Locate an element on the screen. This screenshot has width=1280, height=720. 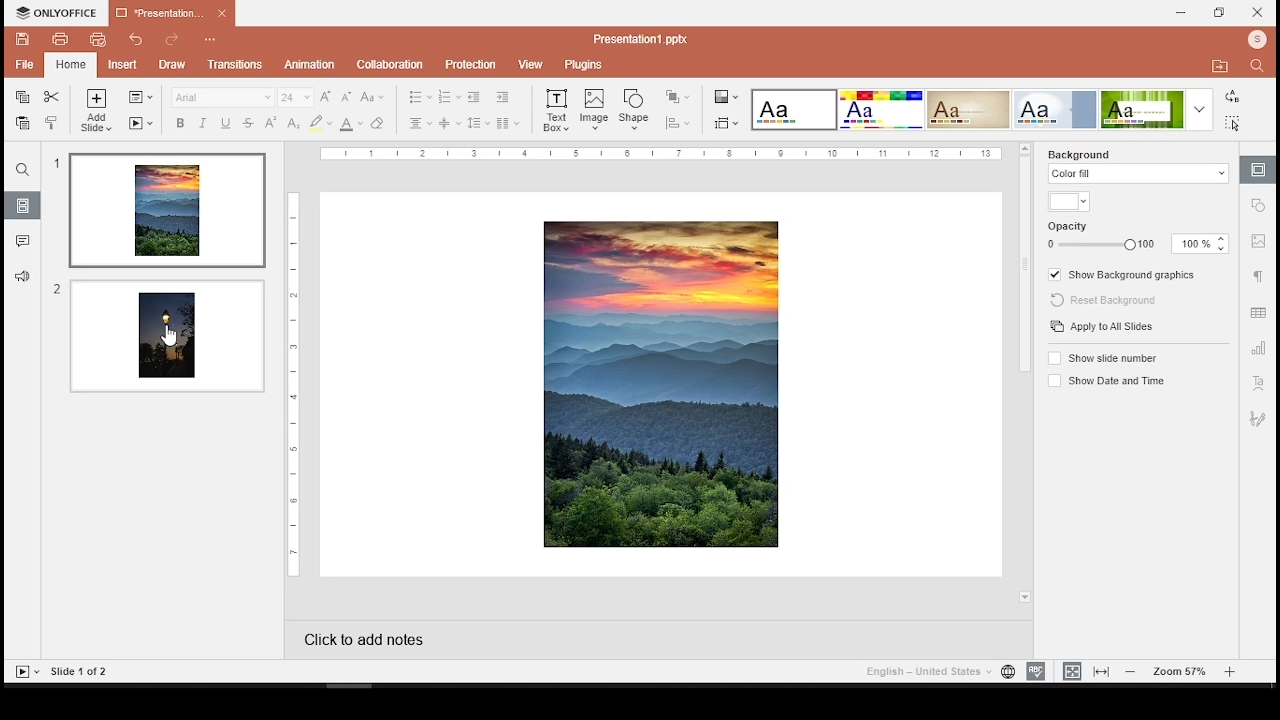
table settings is located at coordinates (1259, 314).